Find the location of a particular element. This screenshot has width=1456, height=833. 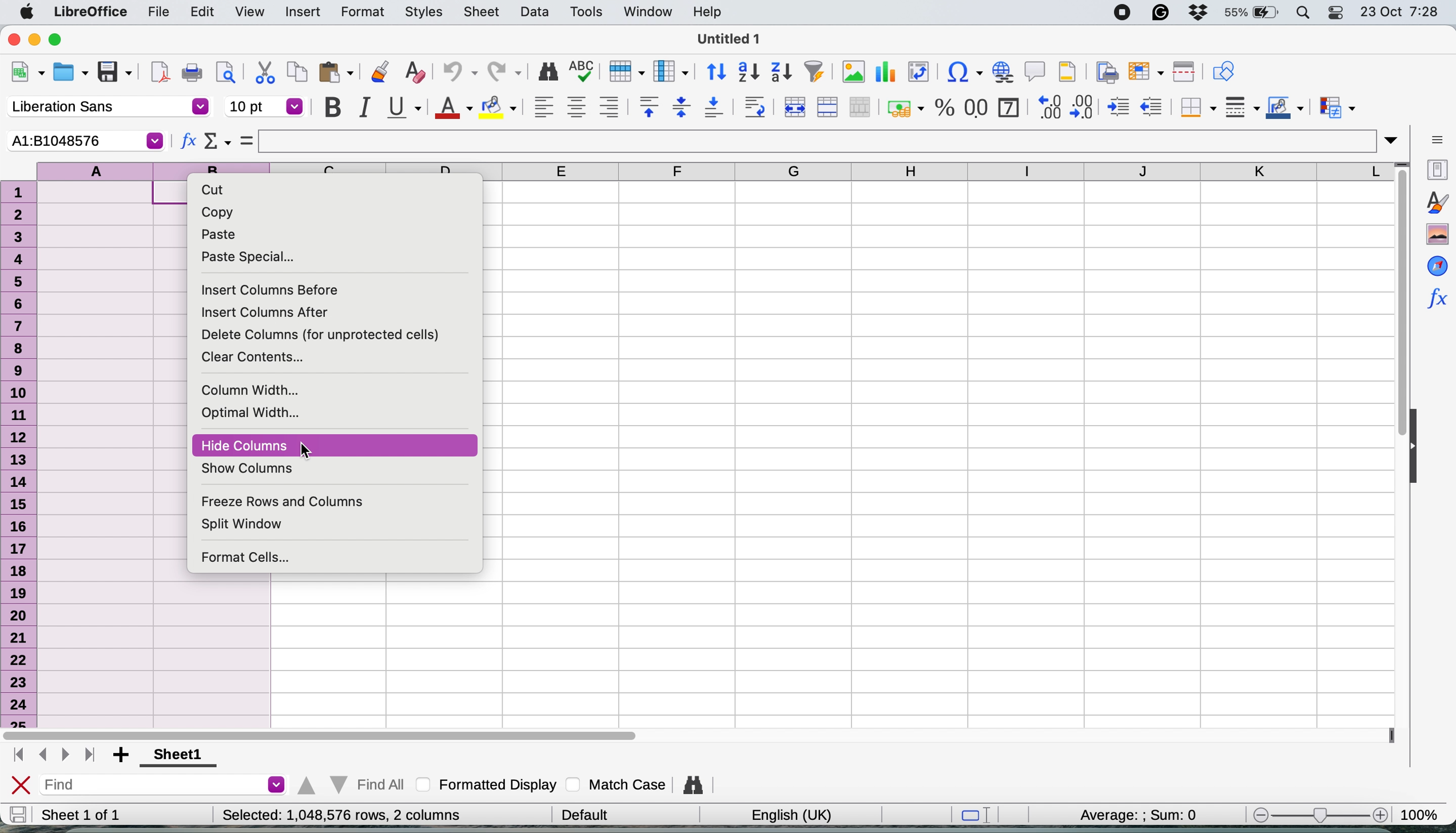

styles is located at coordinates (420, 11).